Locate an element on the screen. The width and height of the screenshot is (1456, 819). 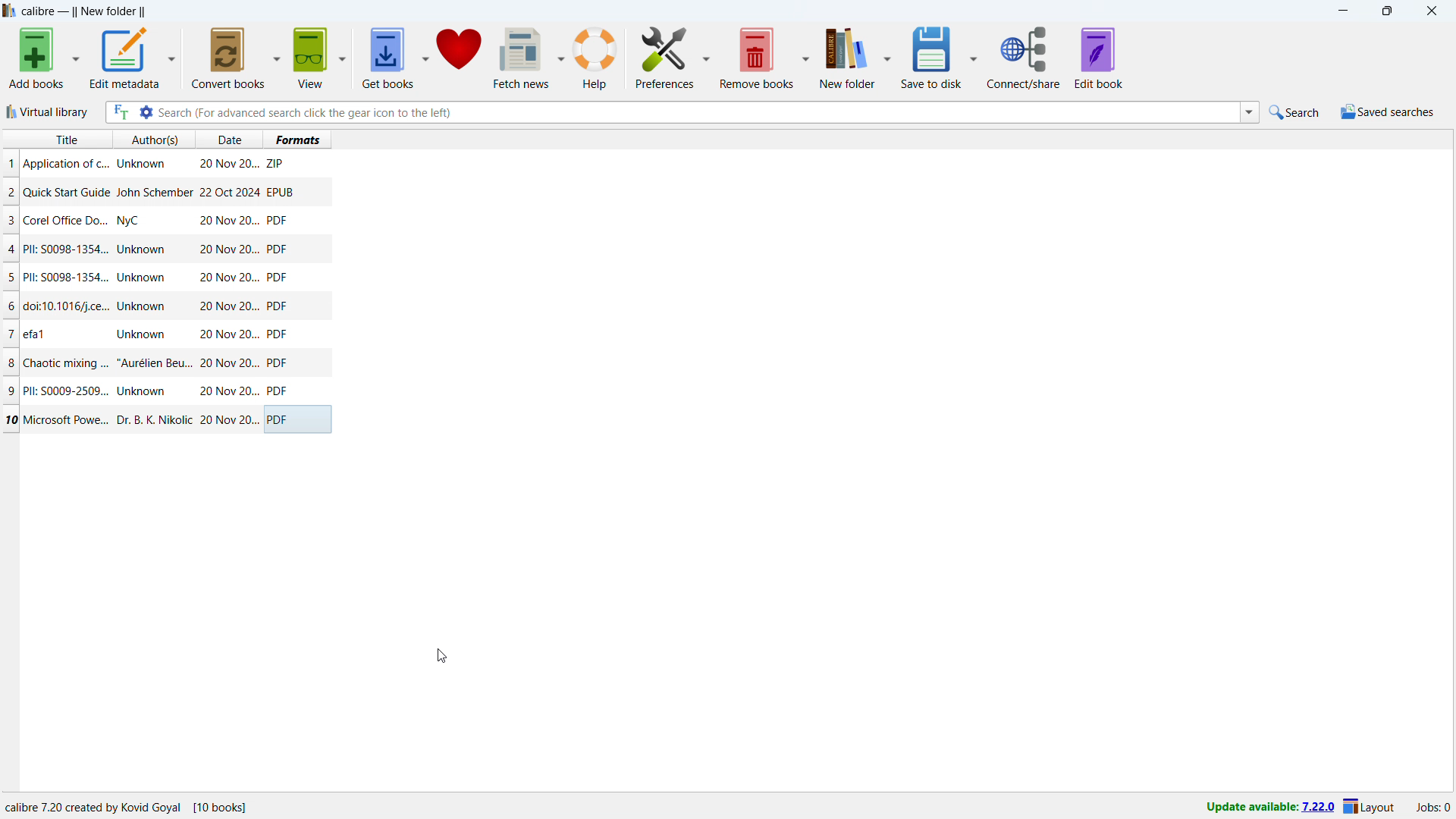
layout is located at coordinates (1370, 808).